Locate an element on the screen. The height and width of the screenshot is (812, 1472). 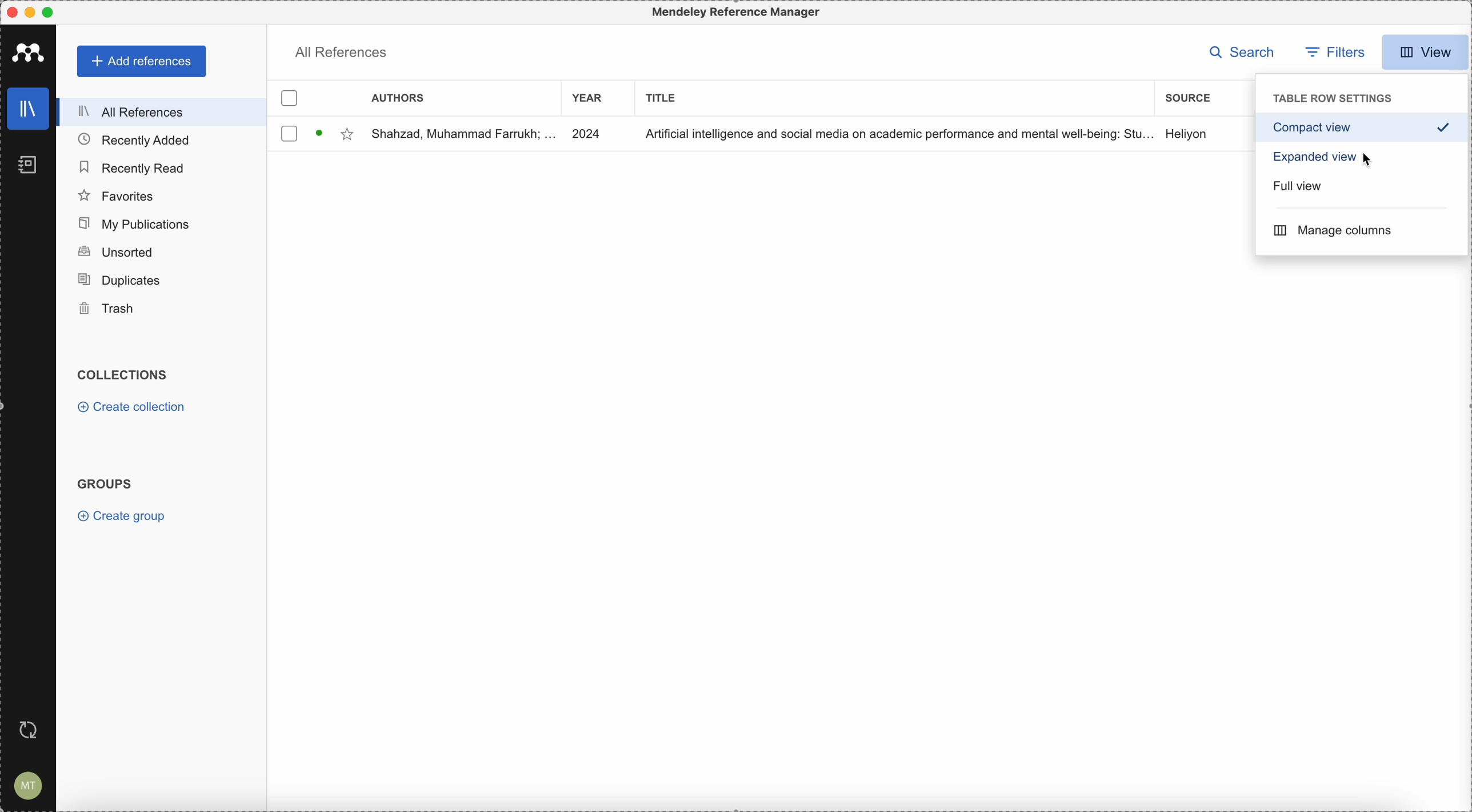
2024 is located at coordinates (589, 133).